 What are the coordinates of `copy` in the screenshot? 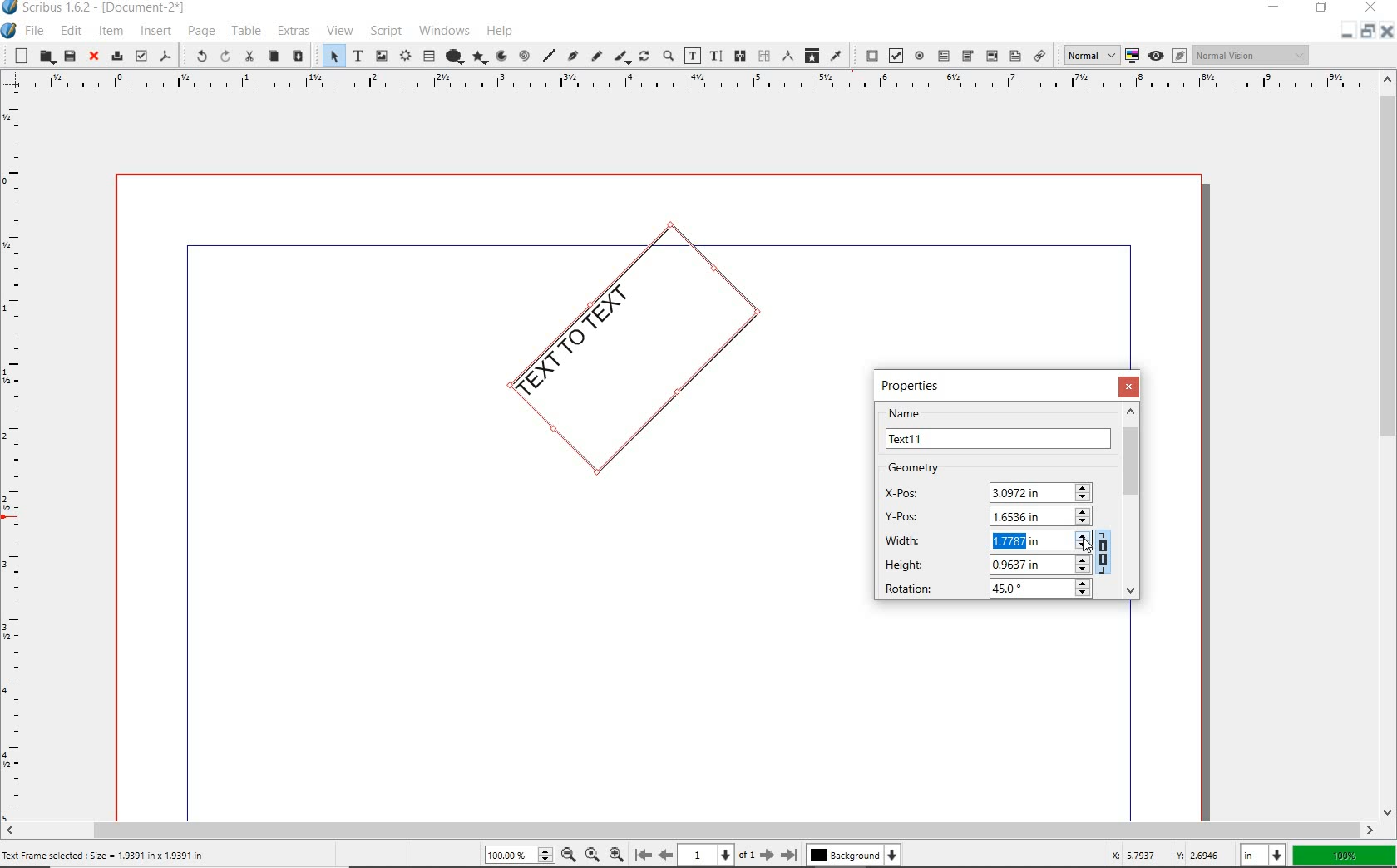 It's located at (274, 57).